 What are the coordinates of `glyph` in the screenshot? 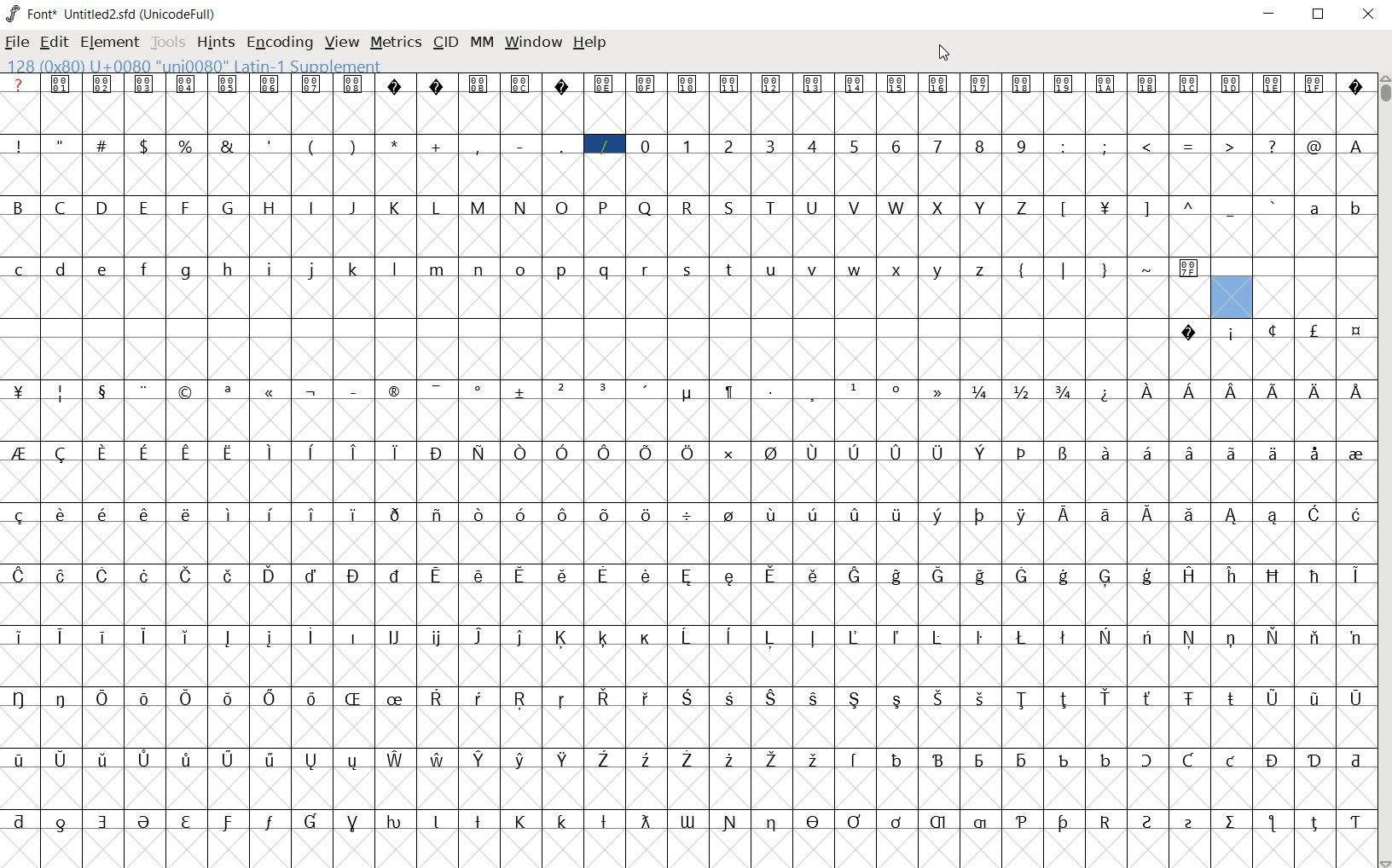 It's located at (1316, 454).